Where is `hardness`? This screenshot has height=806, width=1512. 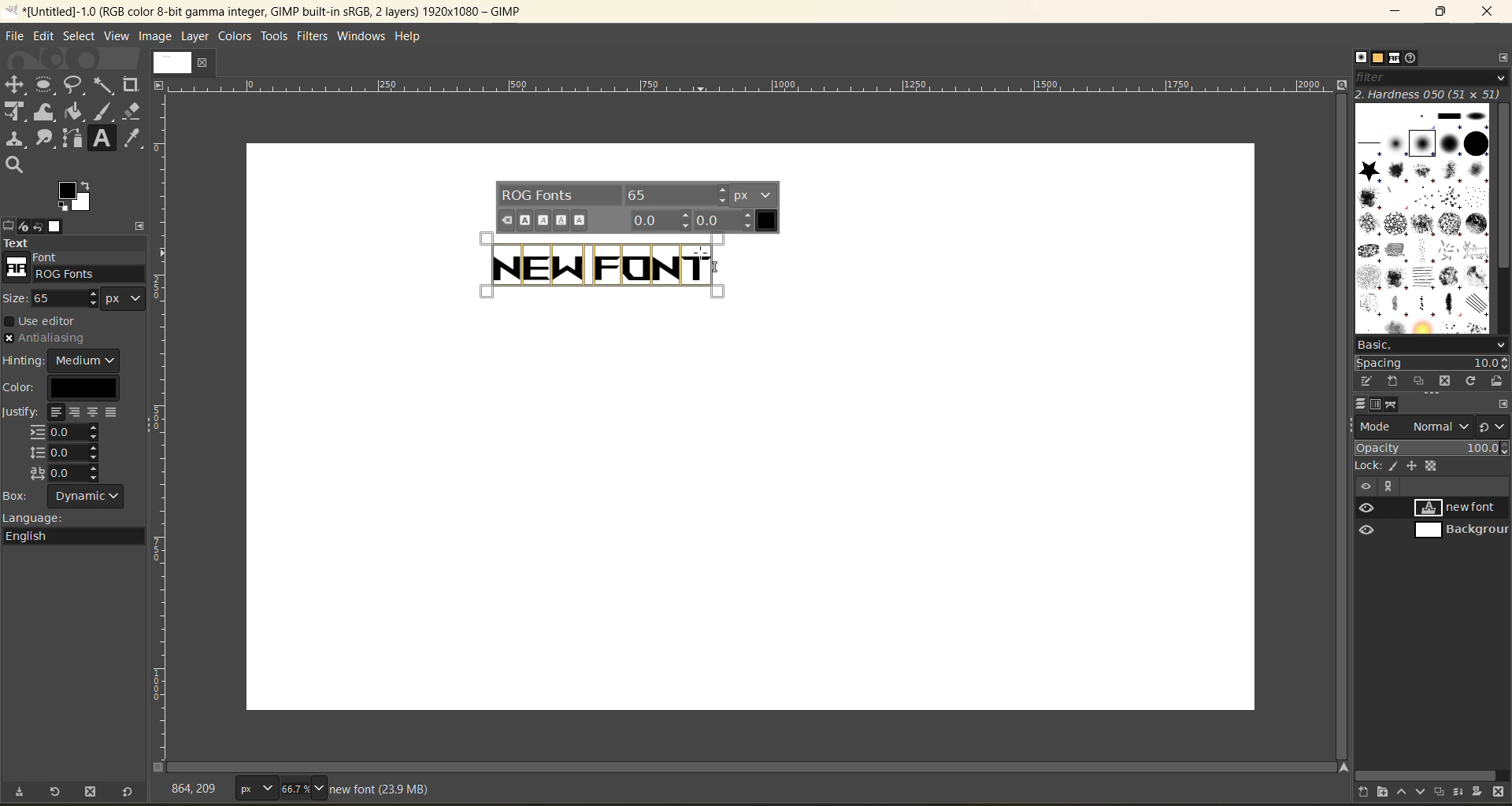 hardness is located at coordinates (1431, 94).